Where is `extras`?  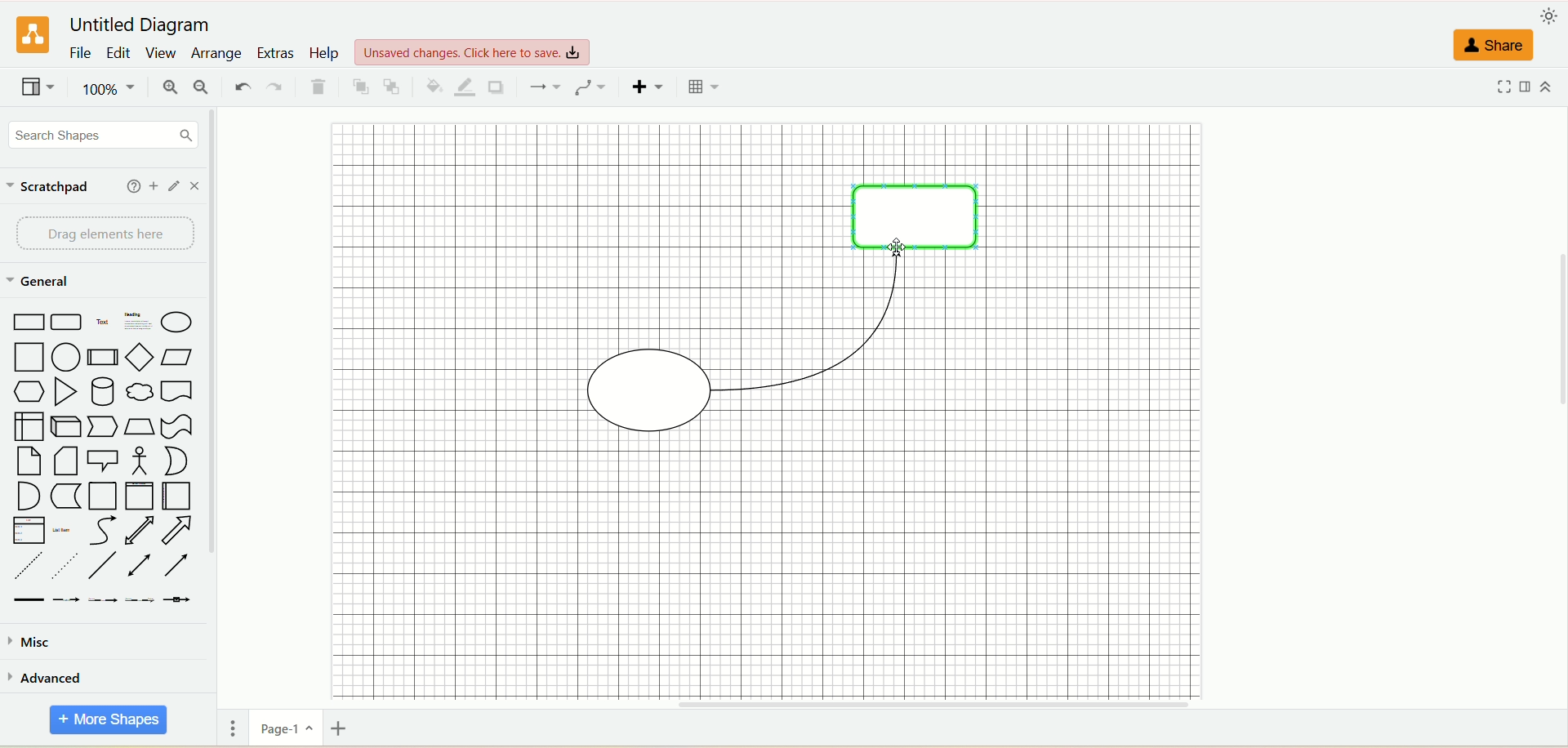
extras is located at coordinates (276, 51).